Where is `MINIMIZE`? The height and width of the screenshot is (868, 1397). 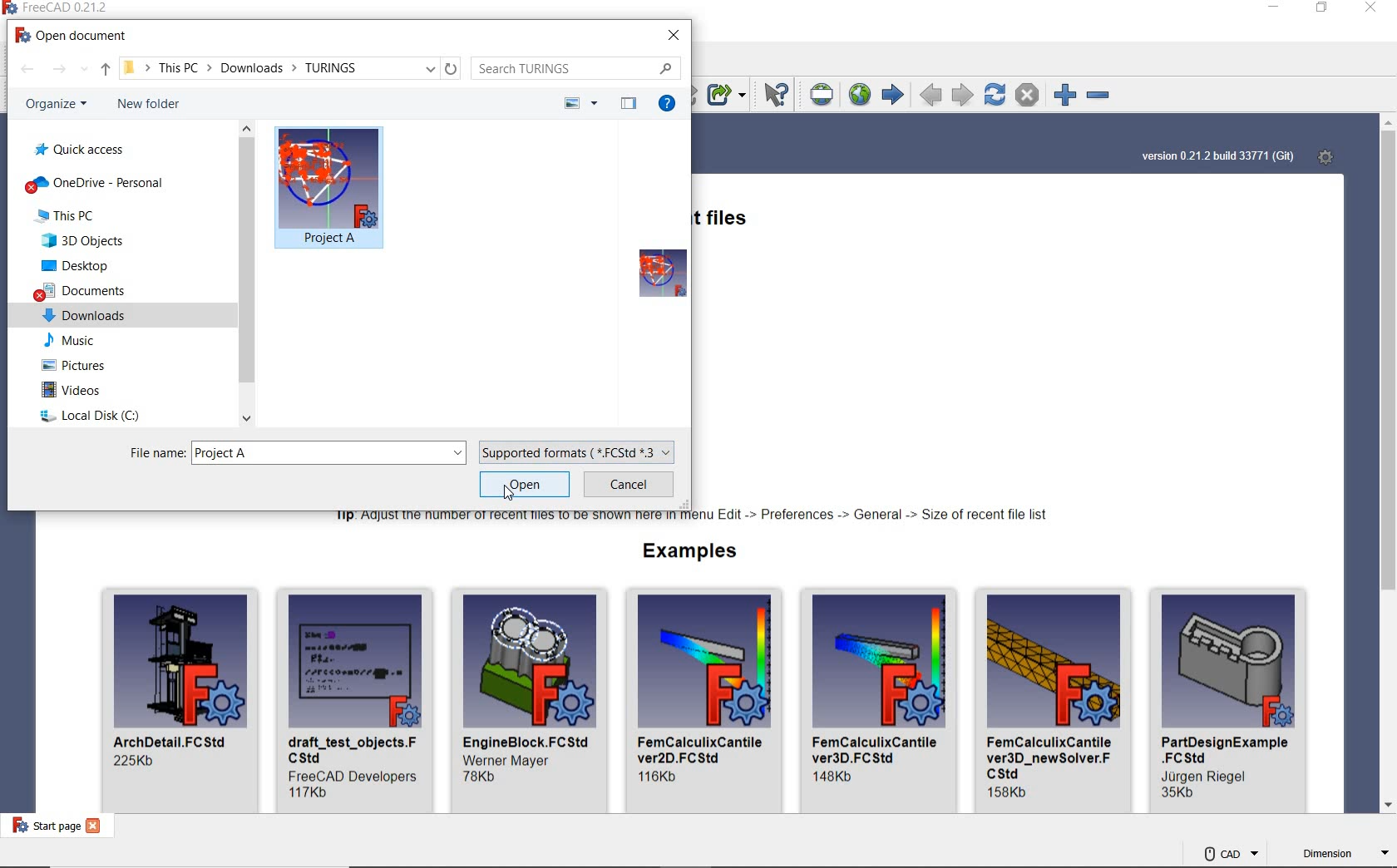 MINIMIZE is located at coordinates (1276, 9).